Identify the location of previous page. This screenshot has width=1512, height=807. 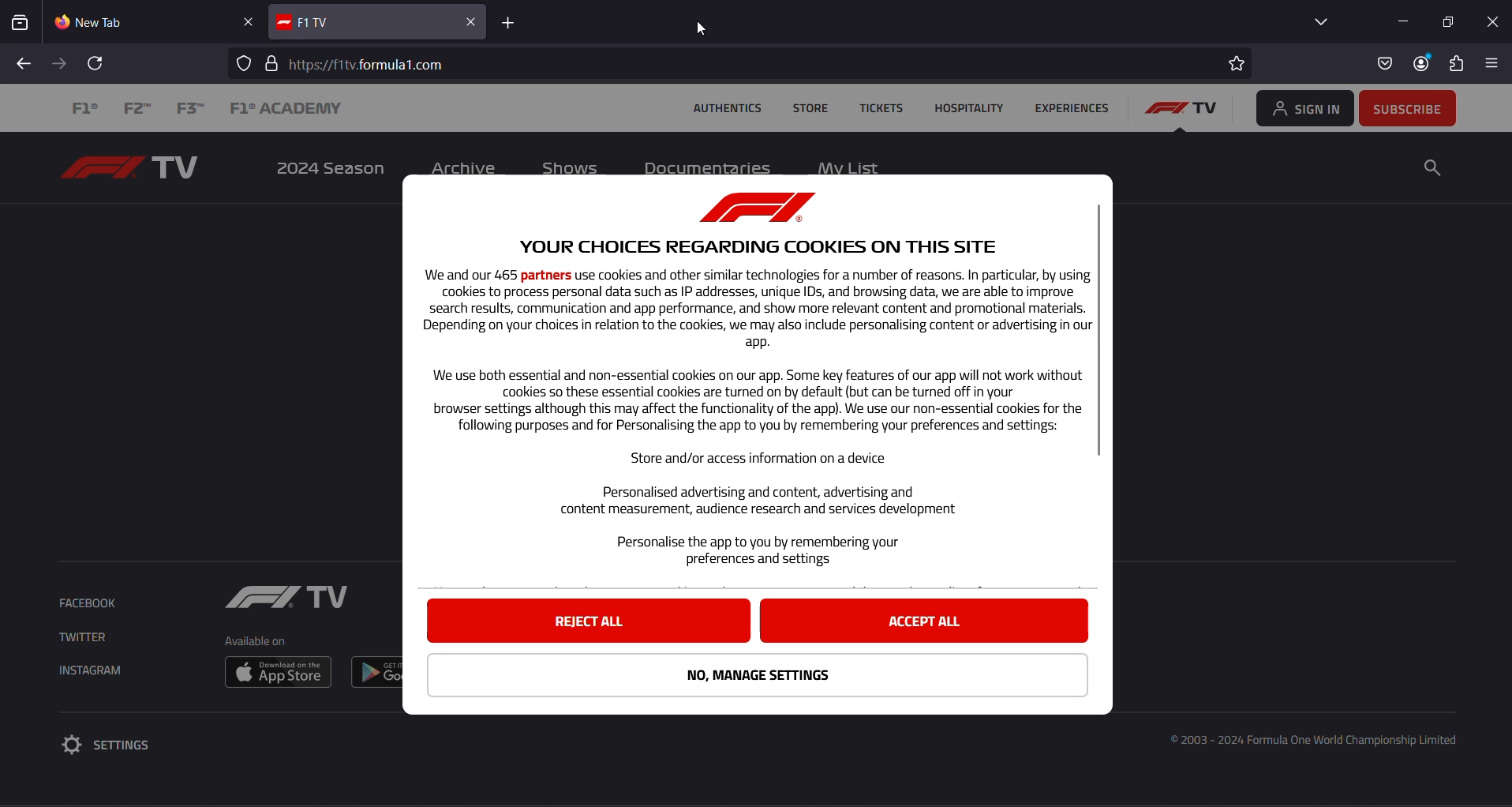
(26, 63).